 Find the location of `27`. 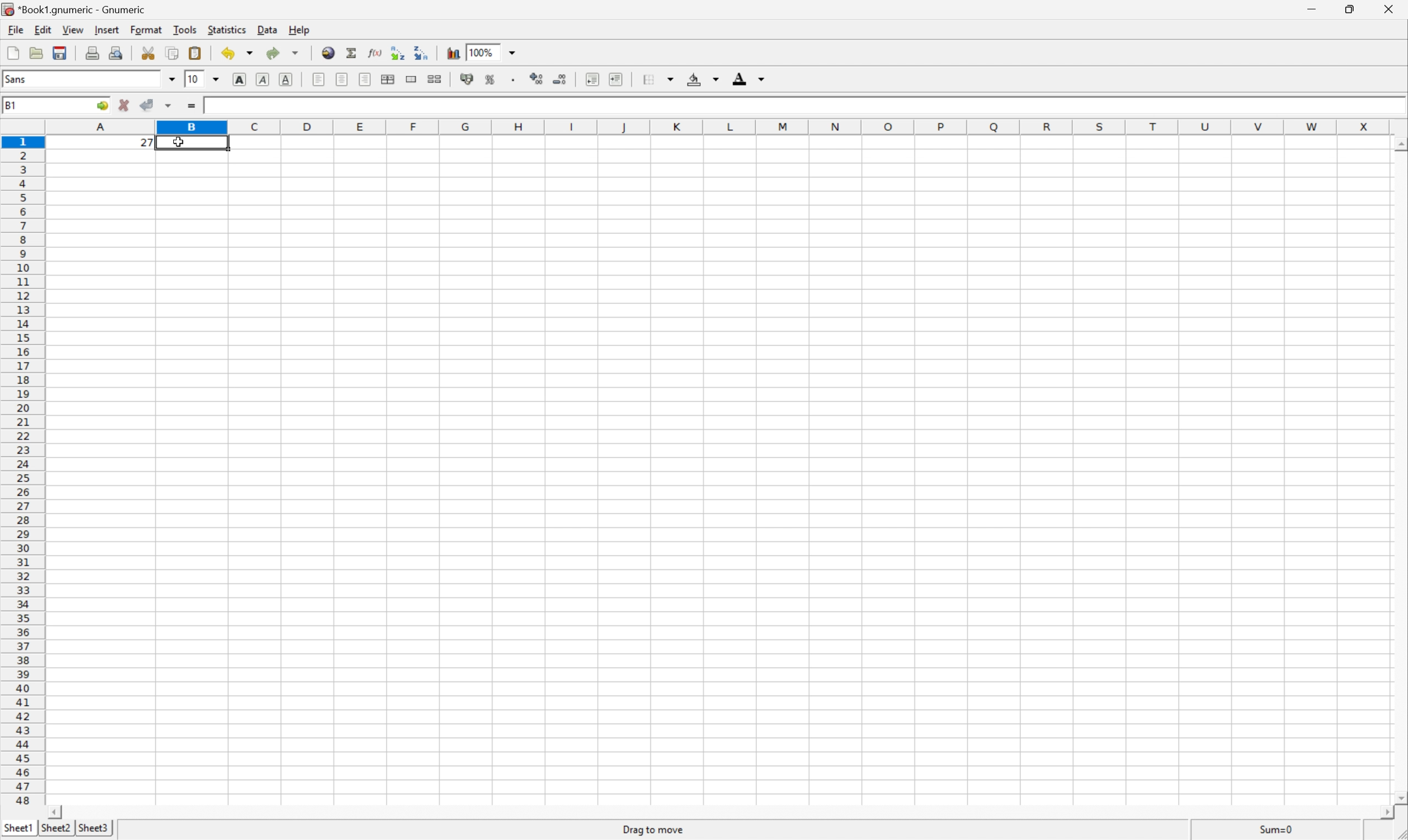

27 is located at coordinates (147, 143).